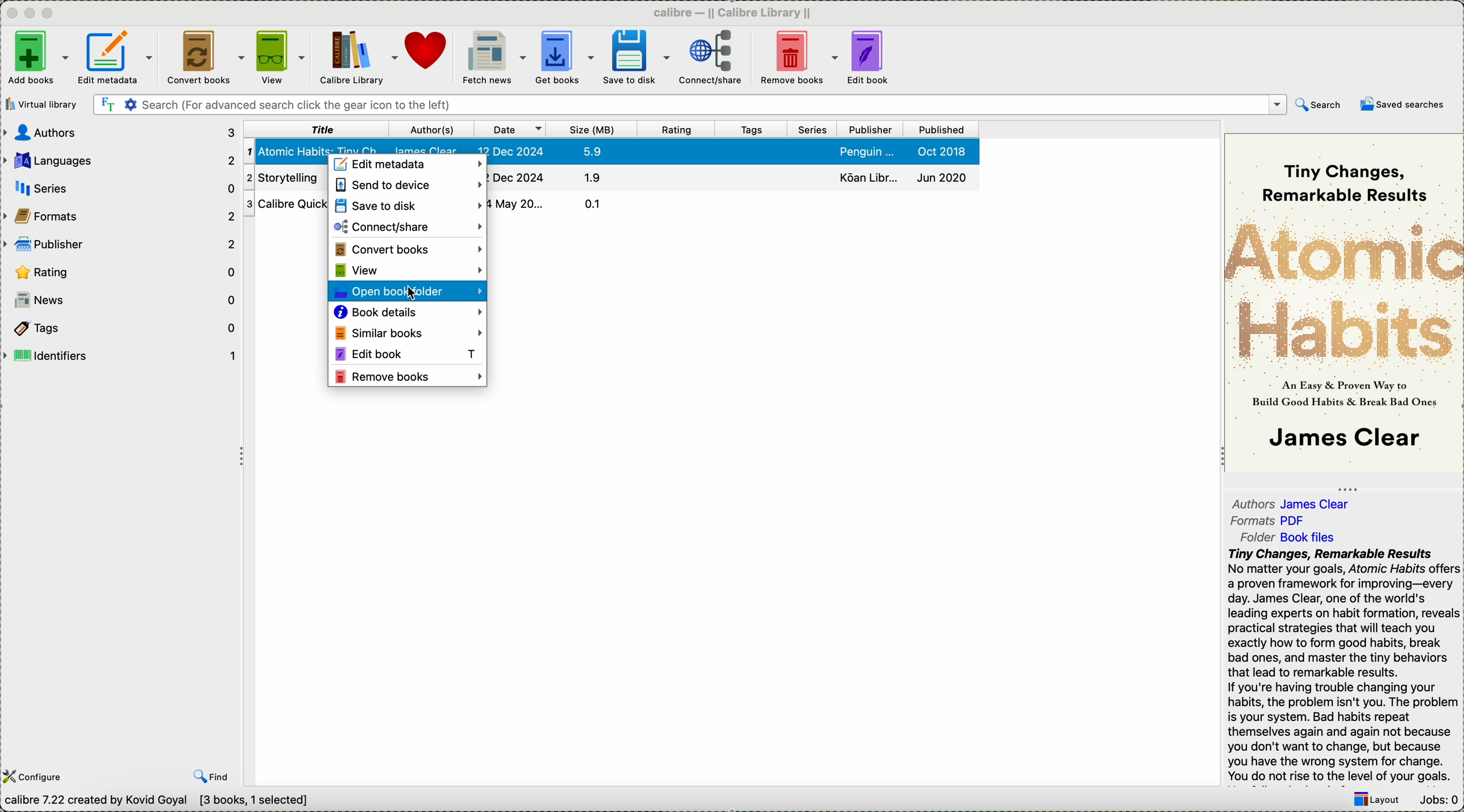  I want to click on details, so click(733, 152).